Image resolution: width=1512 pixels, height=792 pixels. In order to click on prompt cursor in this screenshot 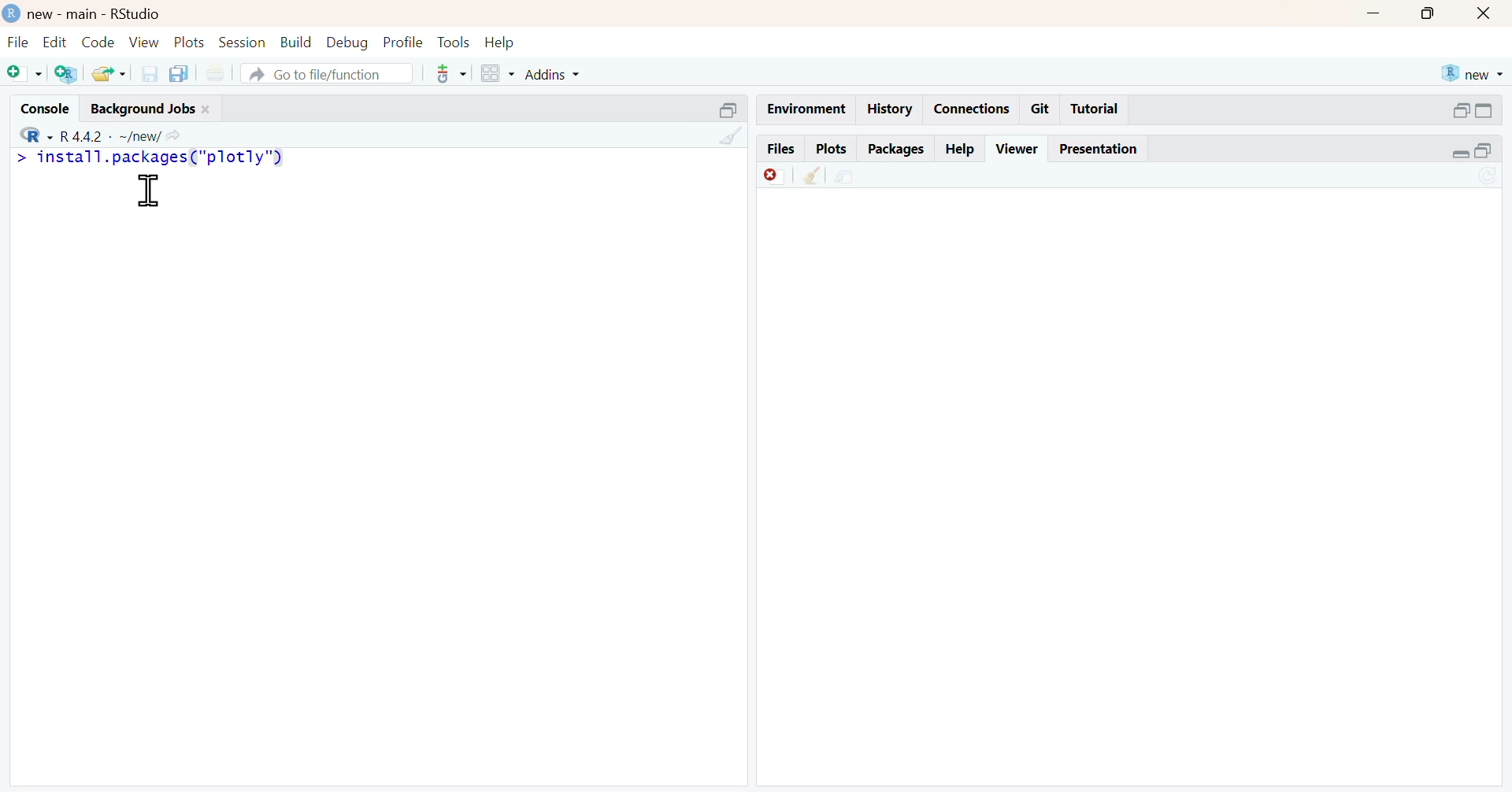, I will do `click(14, 159)`.